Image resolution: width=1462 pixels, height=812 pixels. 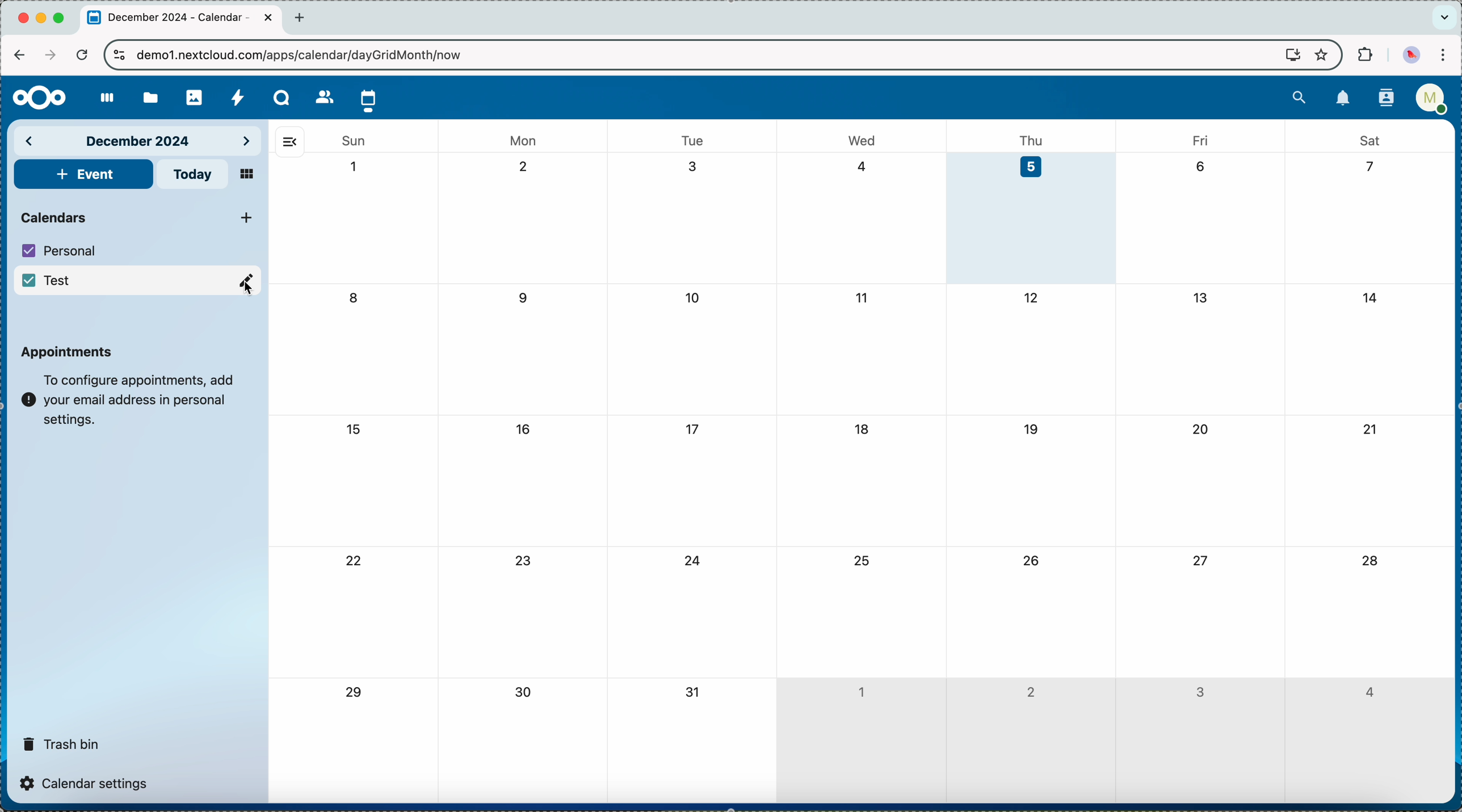 What do you see at coordinates (1199, 559) in the screenshot?
I see `27` at bounding box center [1199, 559].